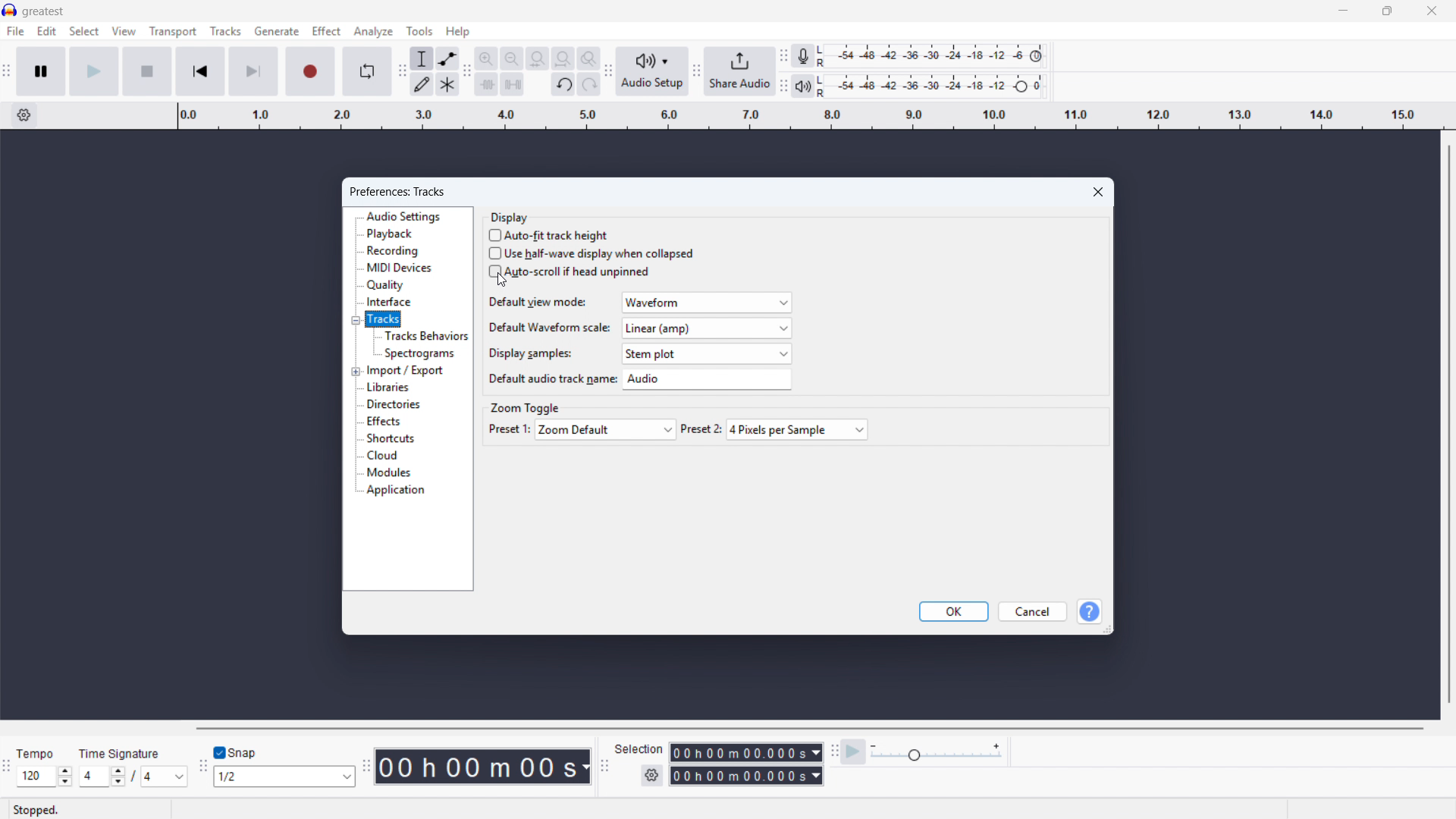 The width and height of the screenshot is (1456, 819). What do you see at coordinates (703, 428) in the screenshot?
I see `preset 2` at bounding box center [703, 428].